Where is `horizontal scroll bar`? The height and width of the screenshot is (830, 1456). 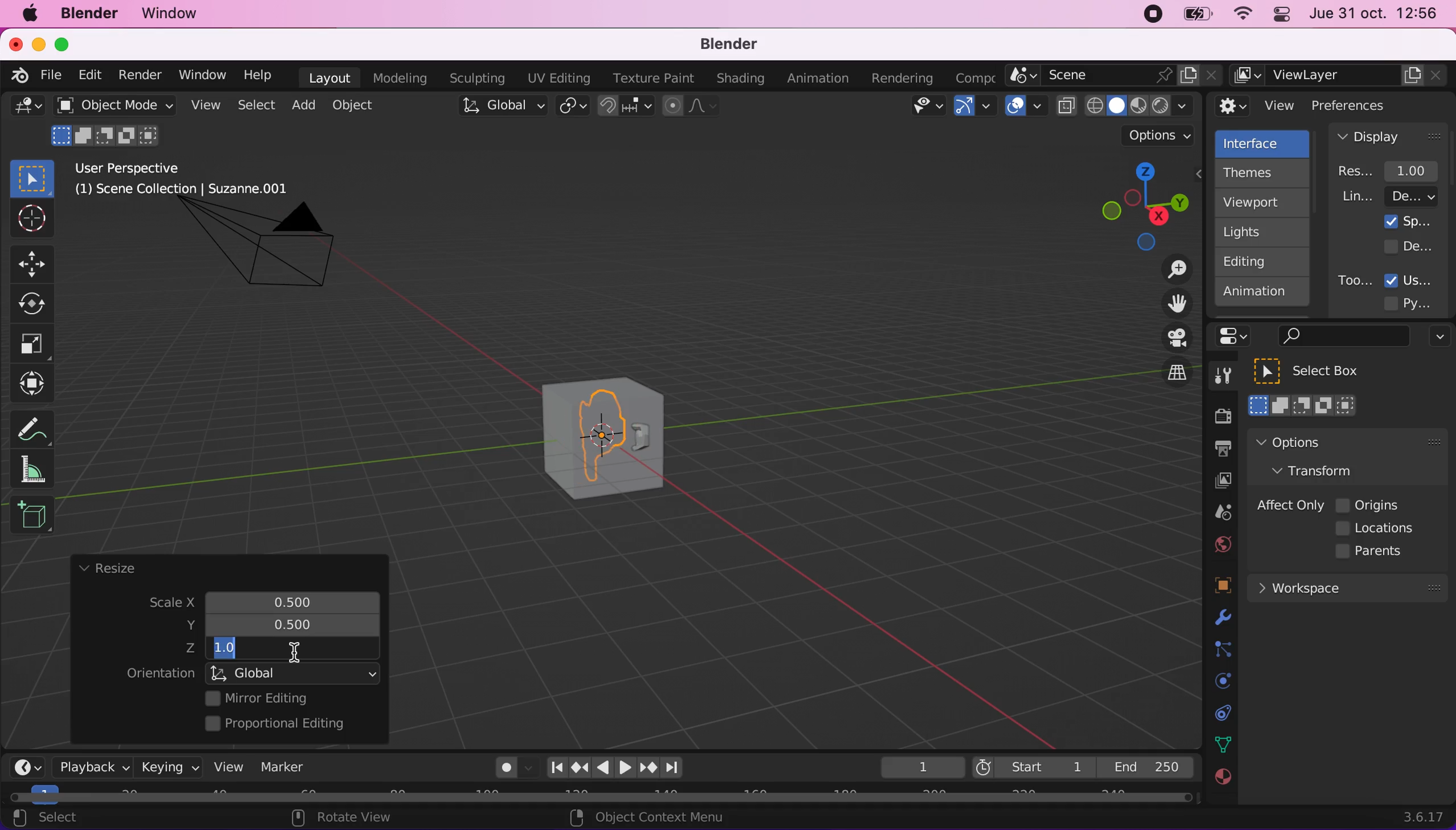
horizontal scroll bar is located at coordinates (601, 798).